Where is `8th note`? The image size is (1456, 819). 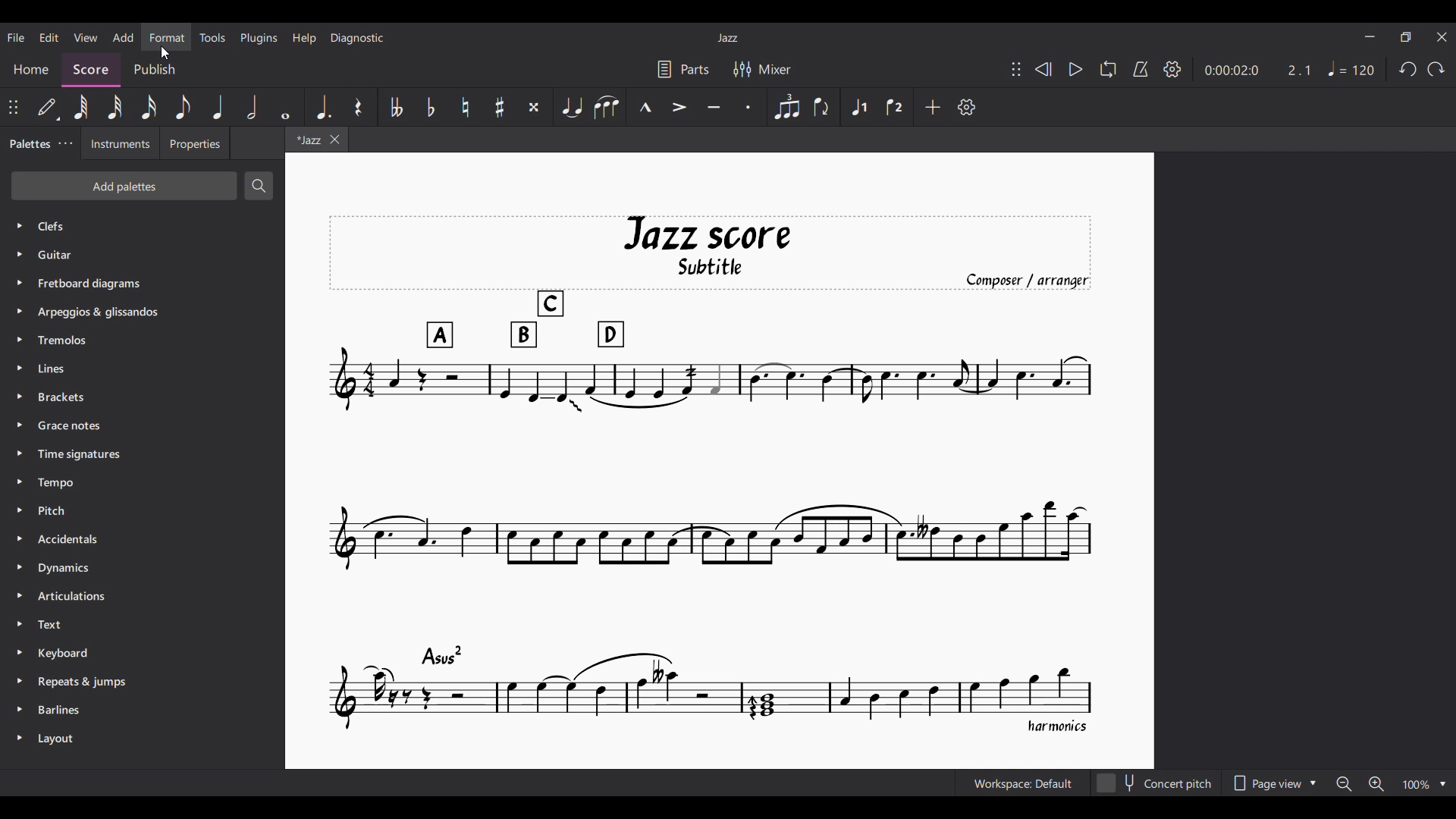
8th note is located at coordinates (183, 107).